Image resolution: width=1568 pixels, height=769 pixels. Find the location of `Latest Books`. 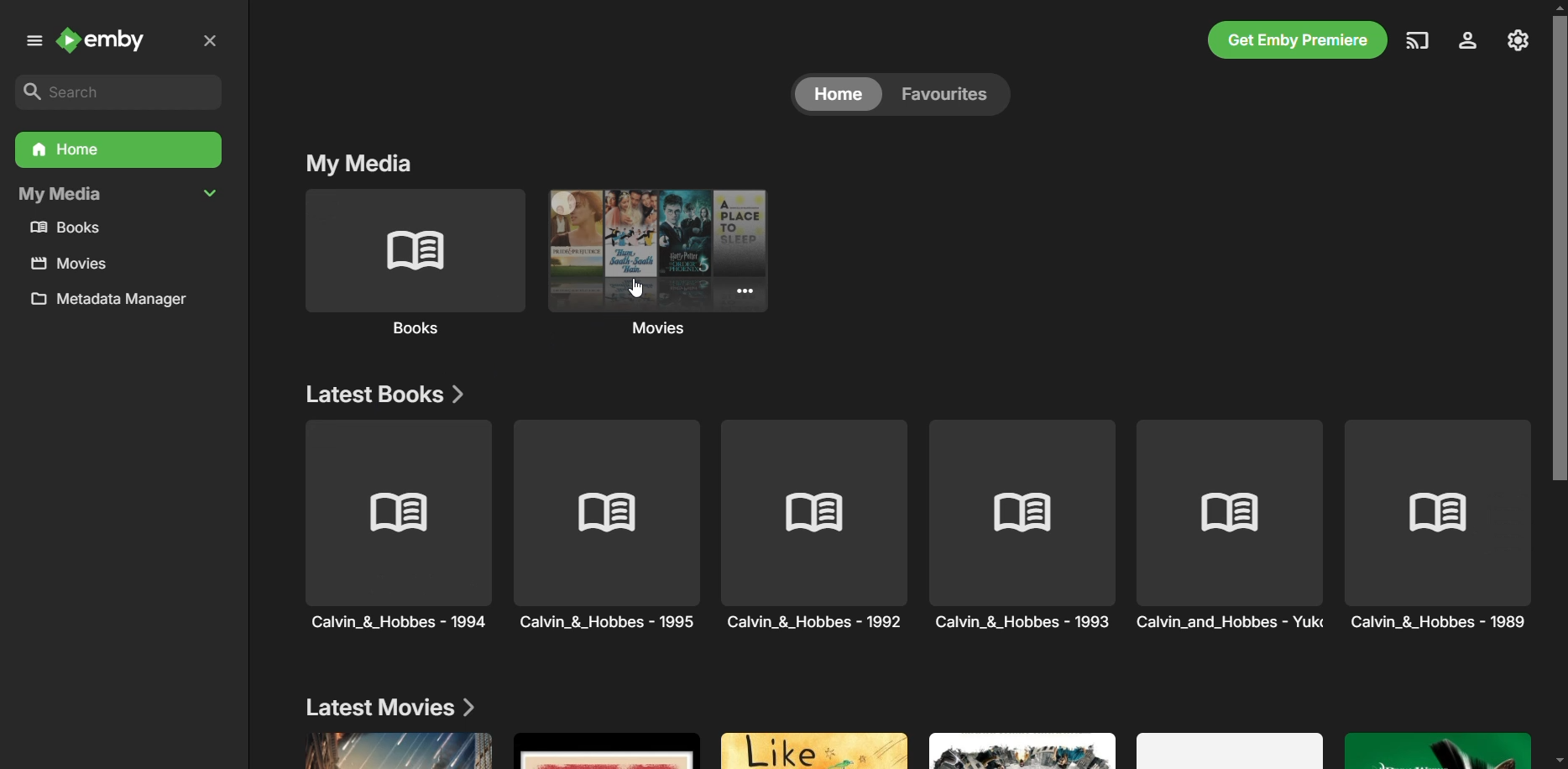

Latest Books is located at coordinates (386, 390).